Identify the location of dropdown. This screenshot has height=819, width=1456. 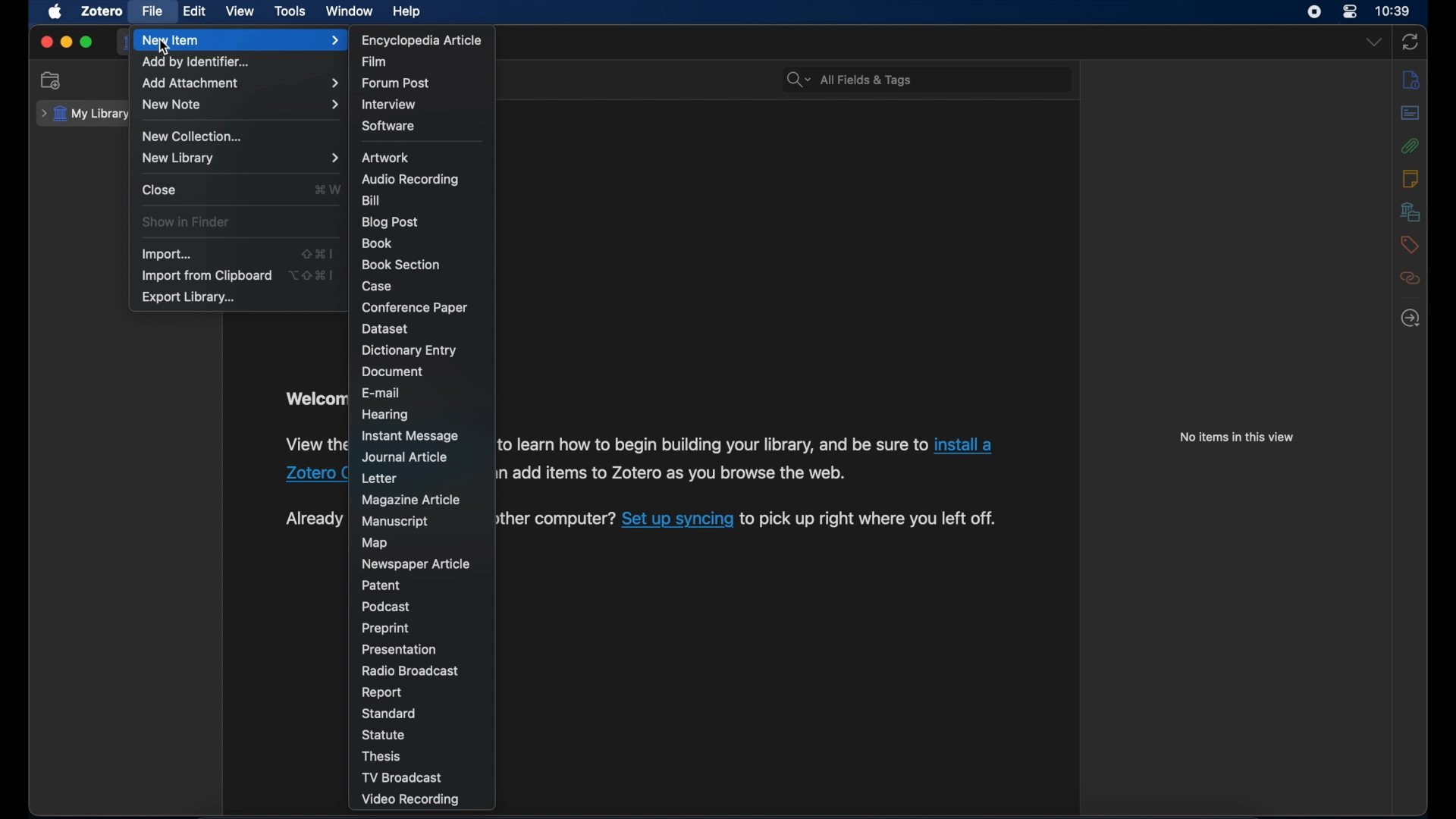
(1374, 42).